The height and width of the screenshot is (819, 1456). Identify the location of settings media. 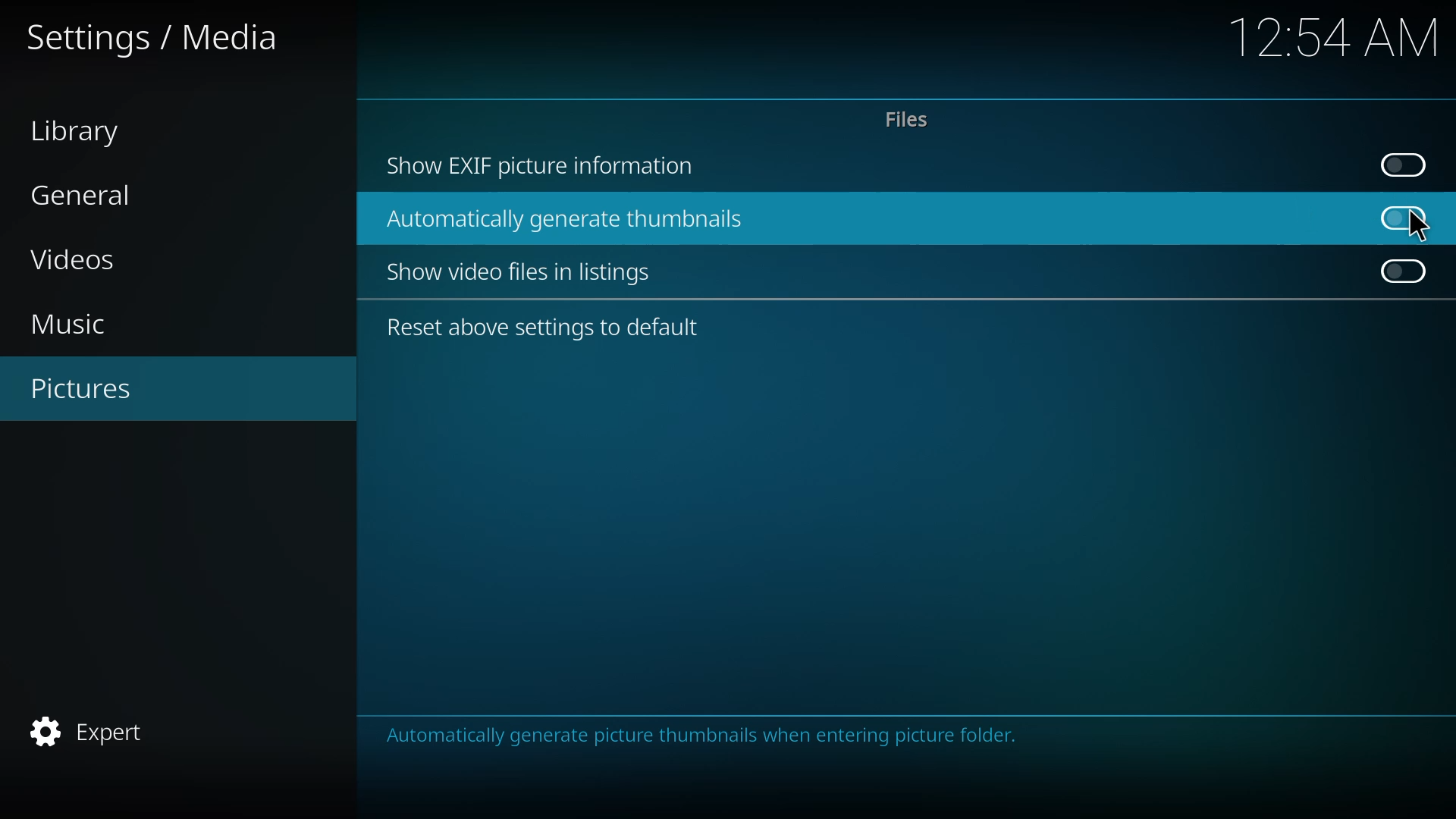
(156, 38).